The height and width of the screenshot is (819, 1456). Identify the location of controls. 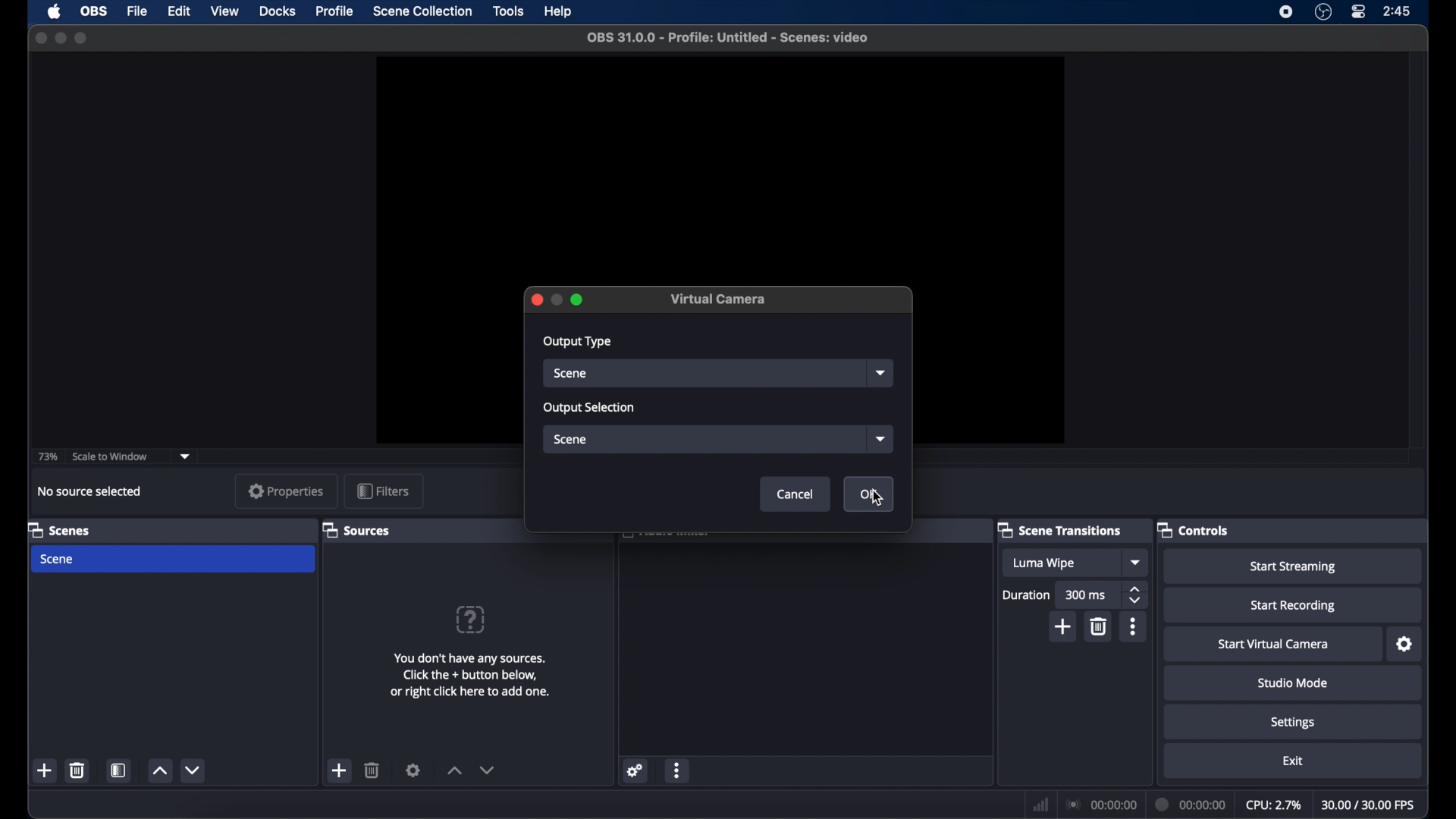
(1192, 529).